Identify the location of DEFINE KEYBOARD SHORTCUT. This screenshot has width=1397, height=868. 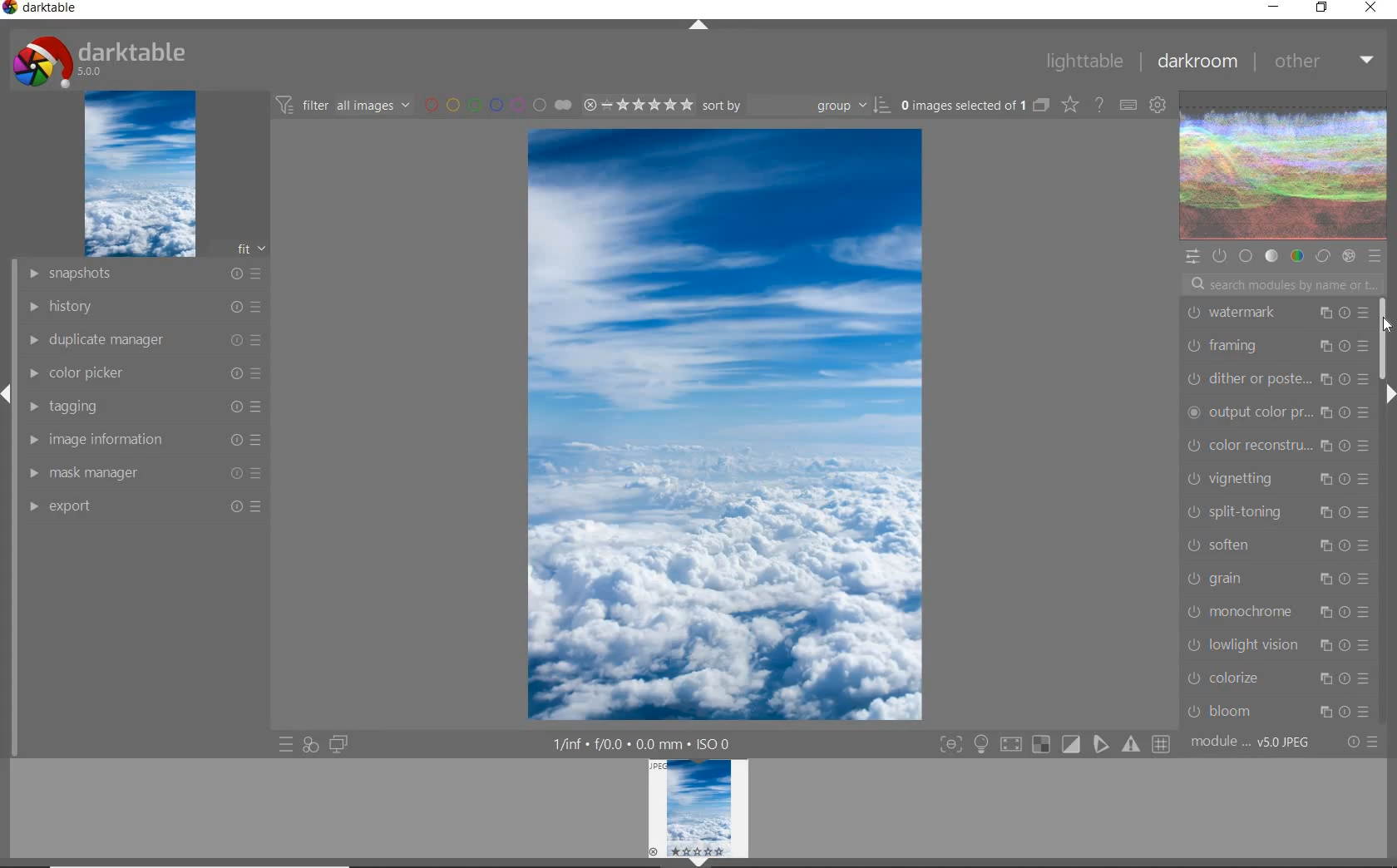
(1128, 106).